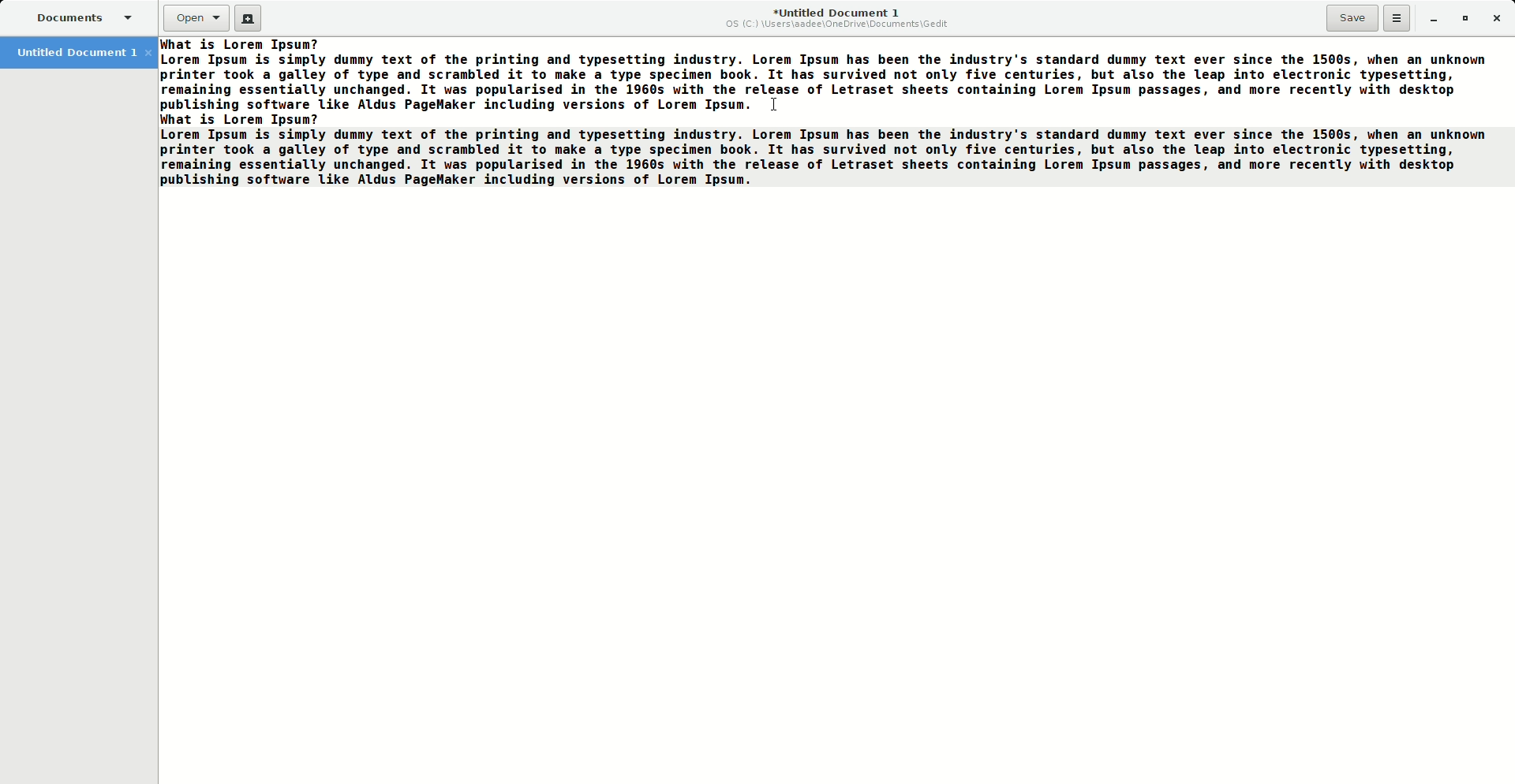 The image size is (1515, 784). I want to click on Close, so click(1497, 17).